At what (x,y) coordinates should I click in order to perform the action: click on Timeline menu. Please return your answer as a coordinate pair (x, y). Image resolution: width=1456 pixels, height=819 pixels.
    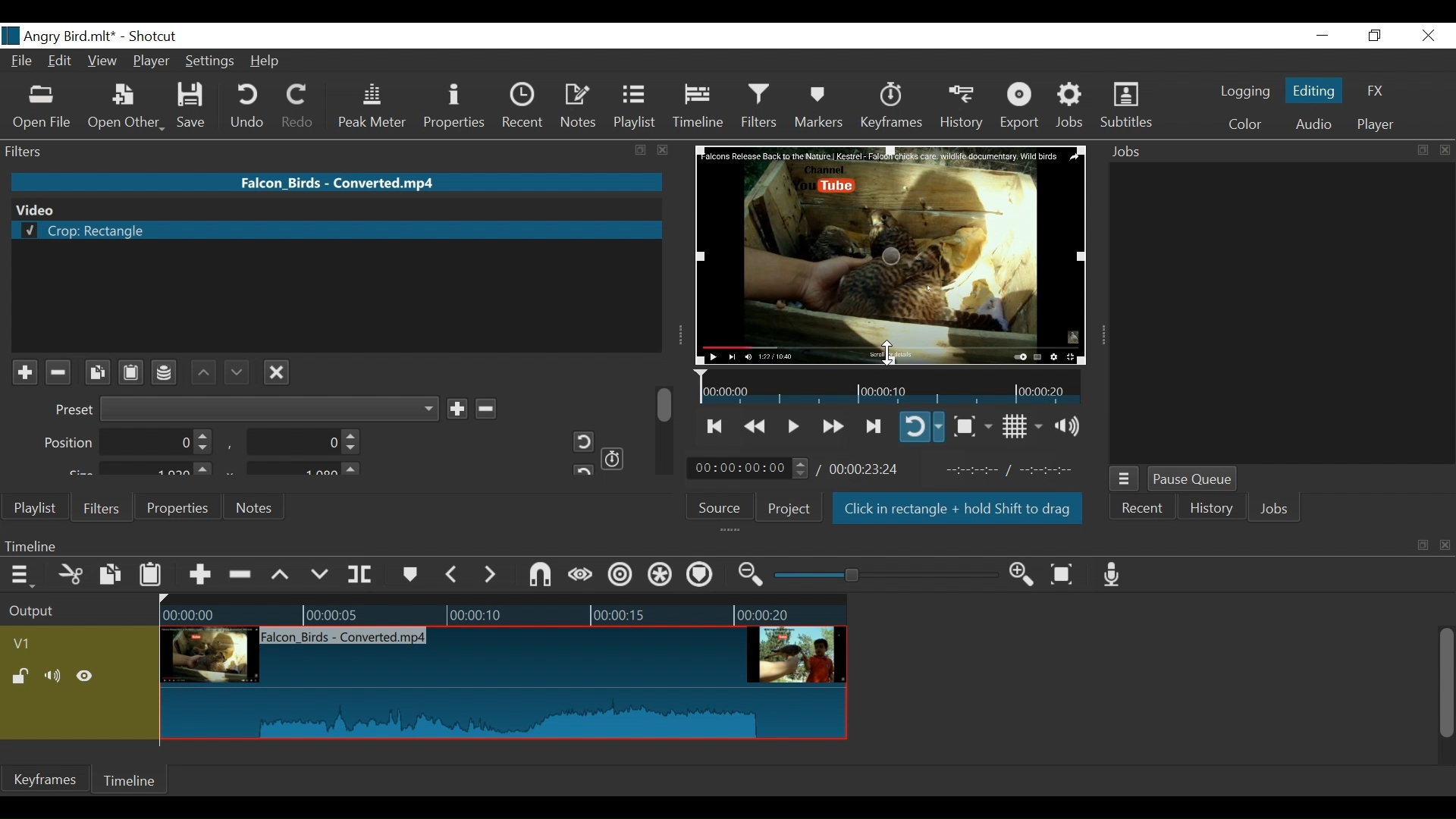
    Looking at the image, I should click on (24, 574).